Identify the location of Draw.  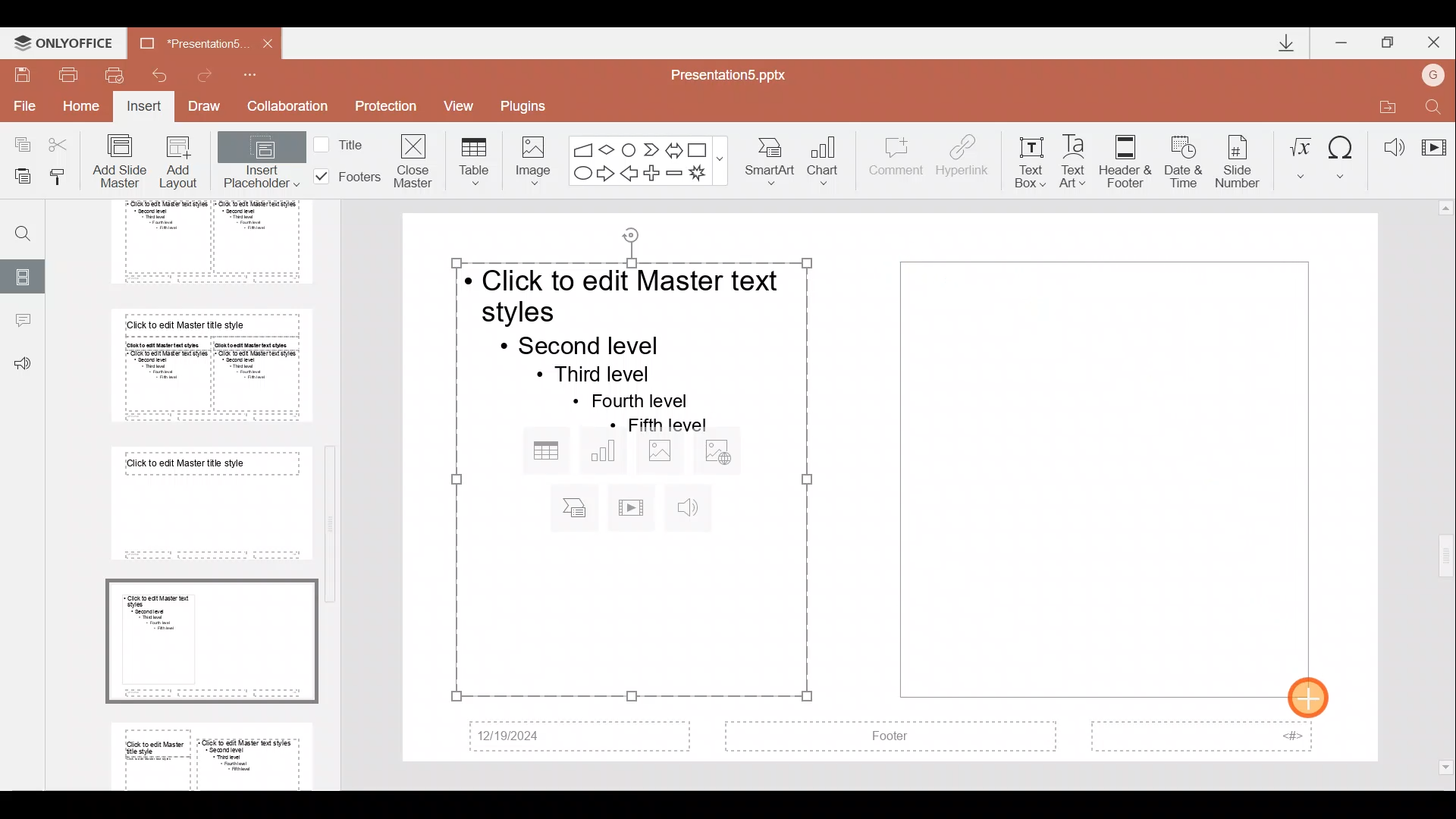
(209, 108).